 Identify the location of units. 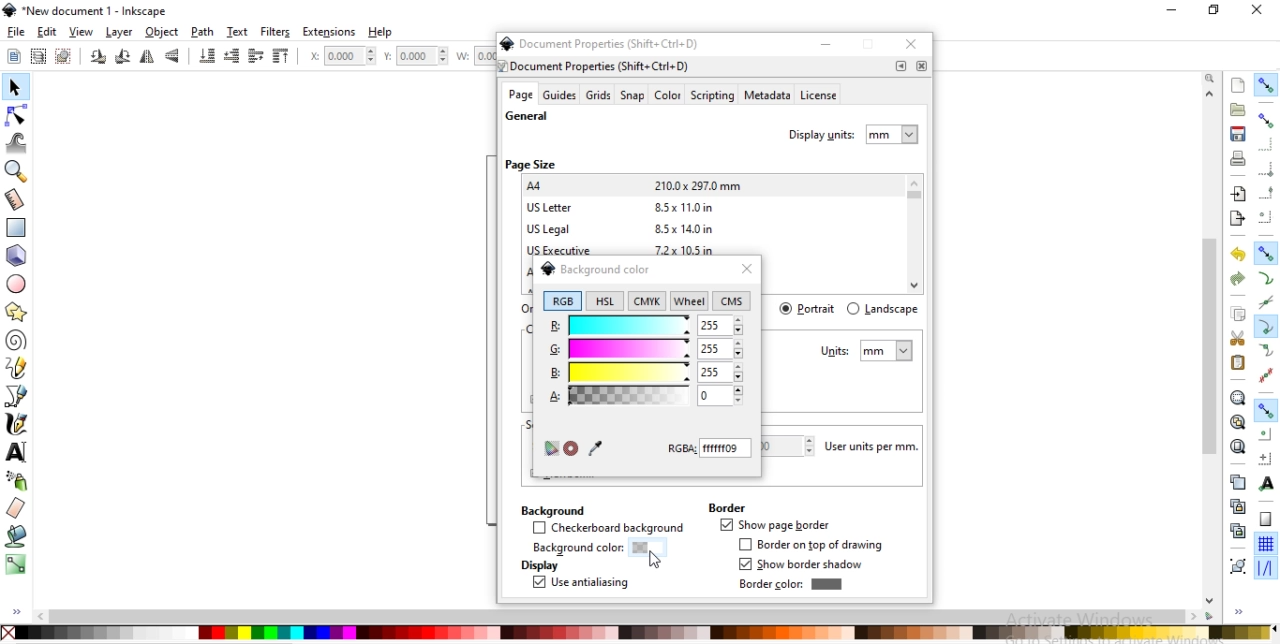
(867, 351).